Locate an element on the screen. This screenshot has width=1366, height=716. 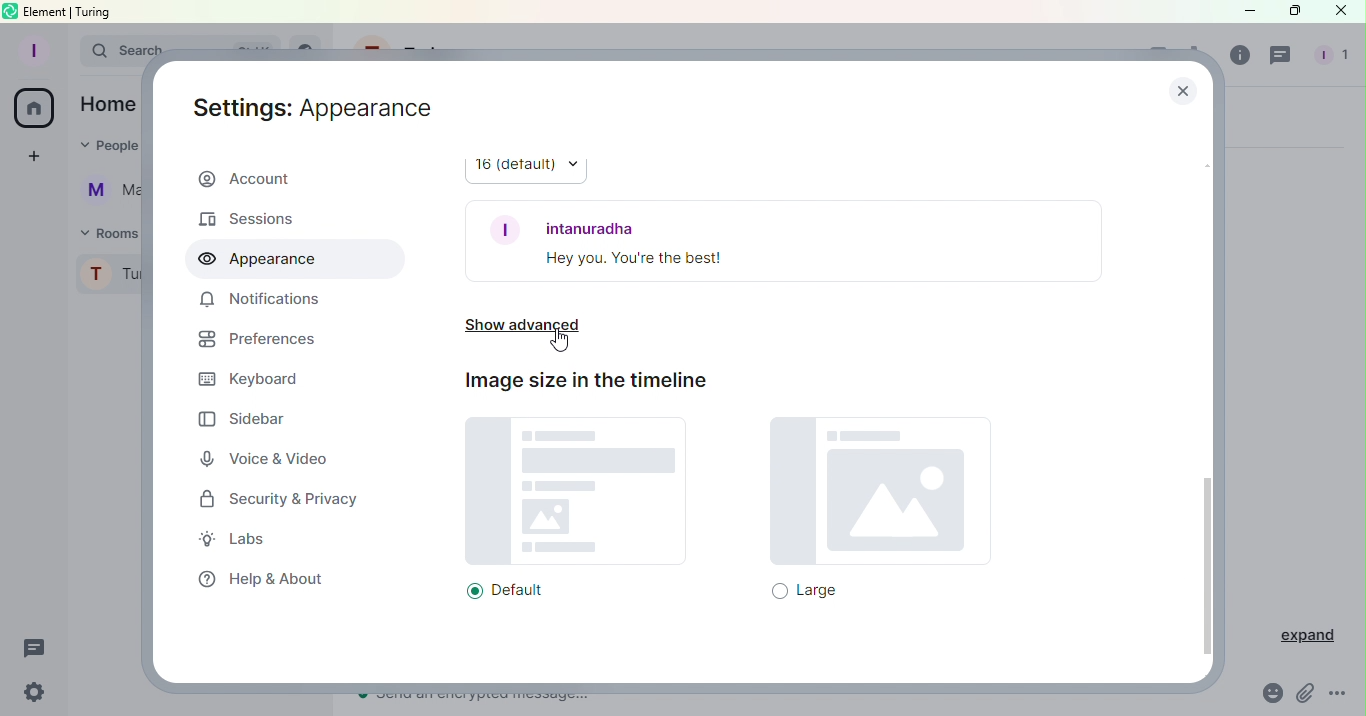
People is located at coordinates (1332, 58).